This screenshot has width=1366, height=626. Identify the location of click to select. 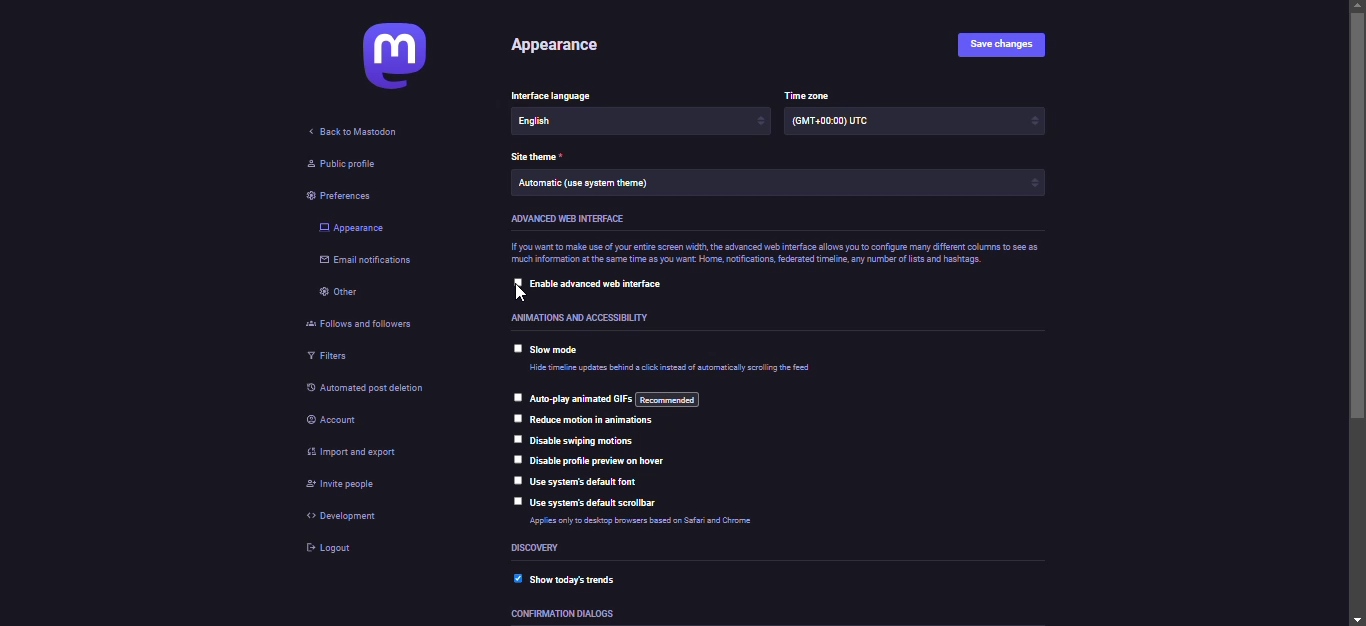
(512, 347).